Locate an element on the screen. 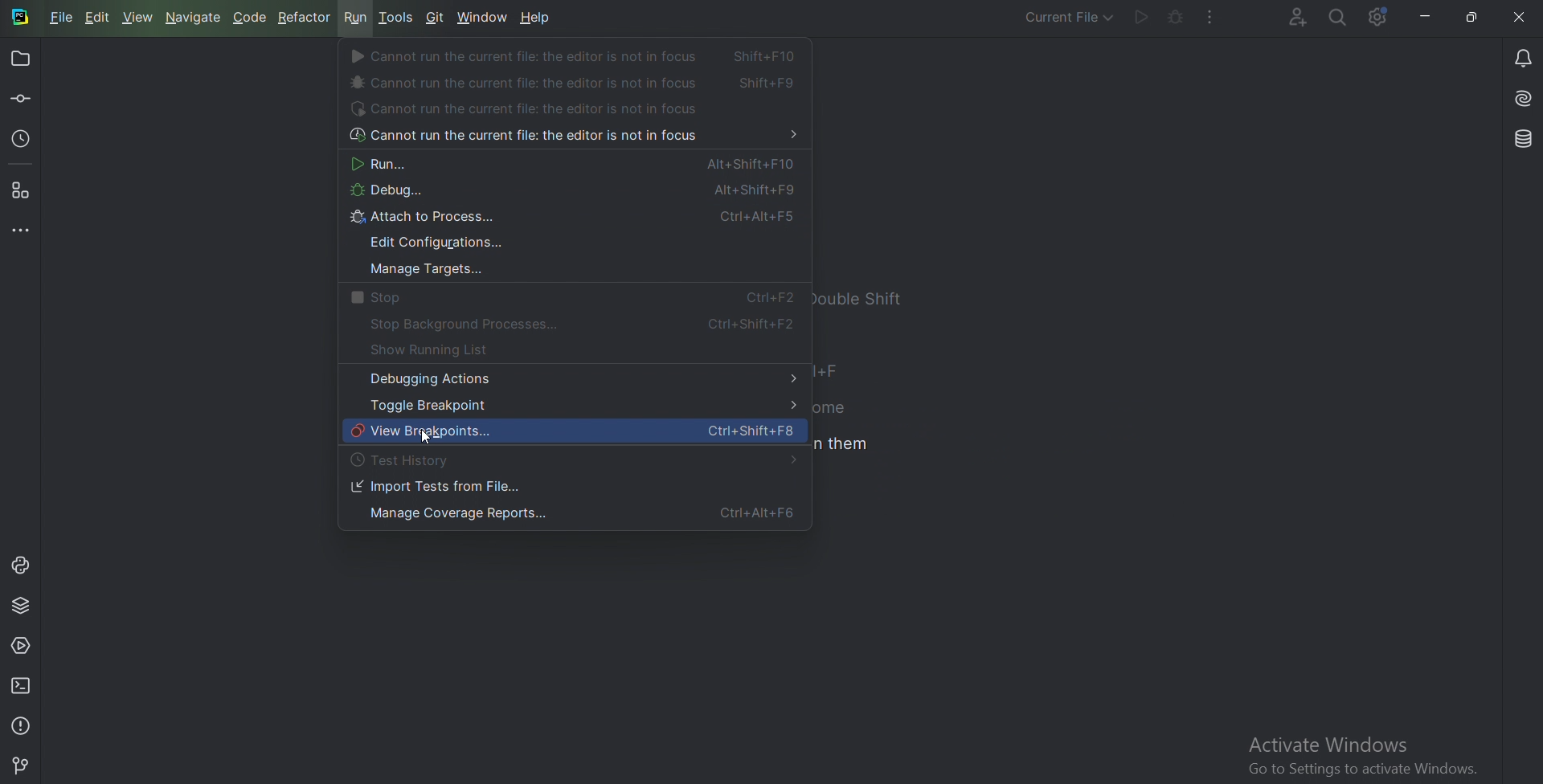  Settings is located at coordinates (1378, 18).